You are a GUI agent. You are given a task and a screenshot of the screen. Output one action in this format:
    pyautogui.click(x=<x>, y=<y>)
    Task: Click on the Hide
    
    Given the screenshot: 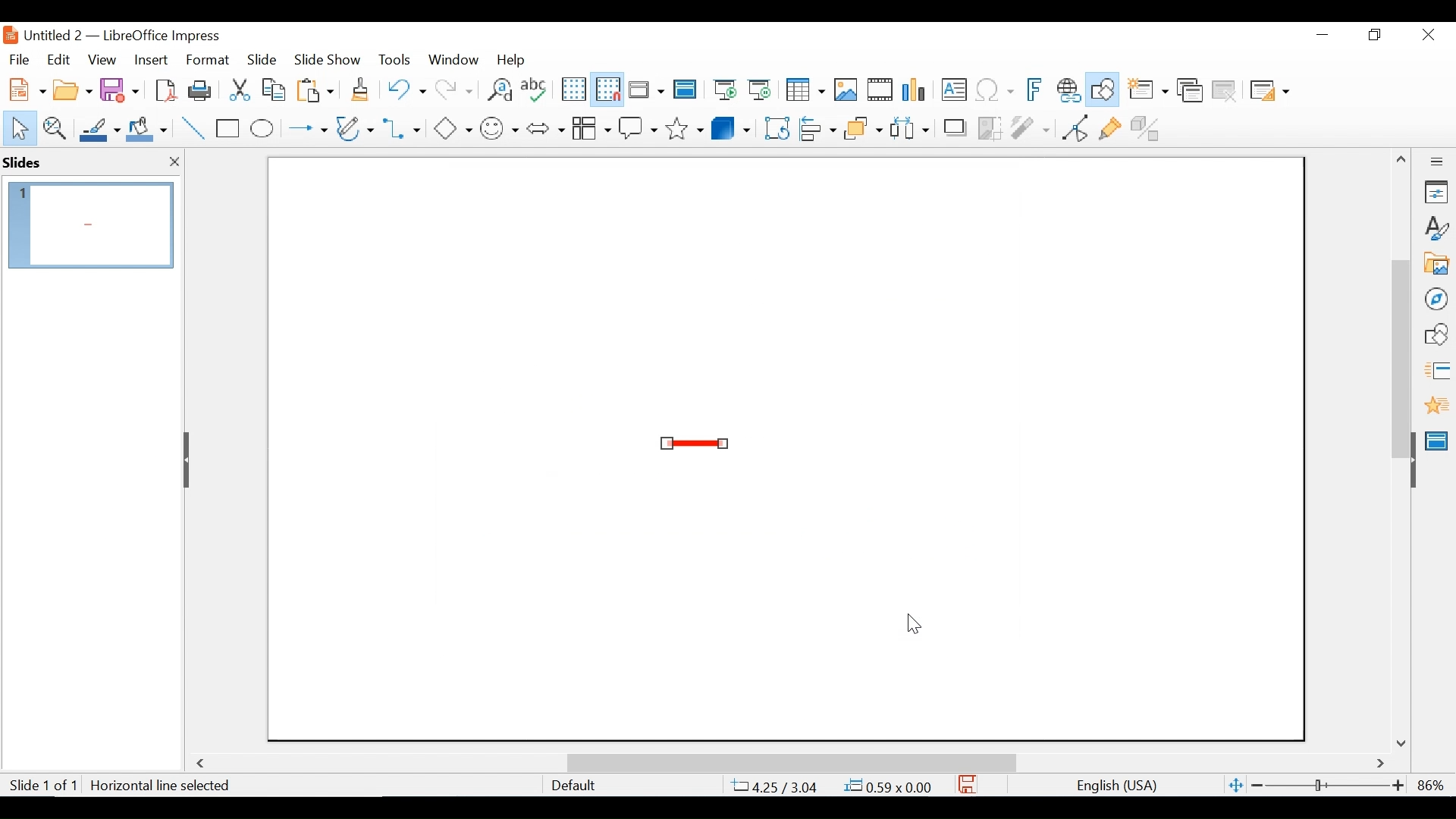 What is the action you would take?
    pyautogui.click(x=1412, y=457)
    